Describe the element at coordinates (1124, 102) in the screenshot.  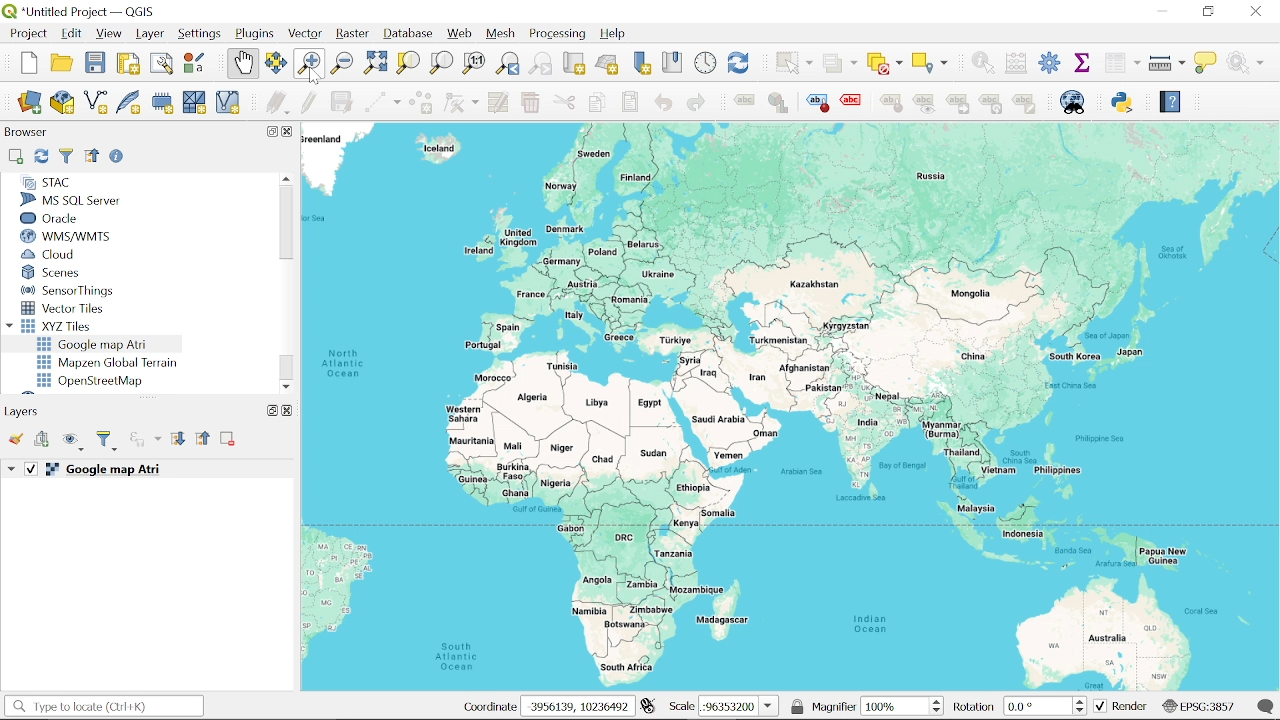
I see `Python console` at that location.